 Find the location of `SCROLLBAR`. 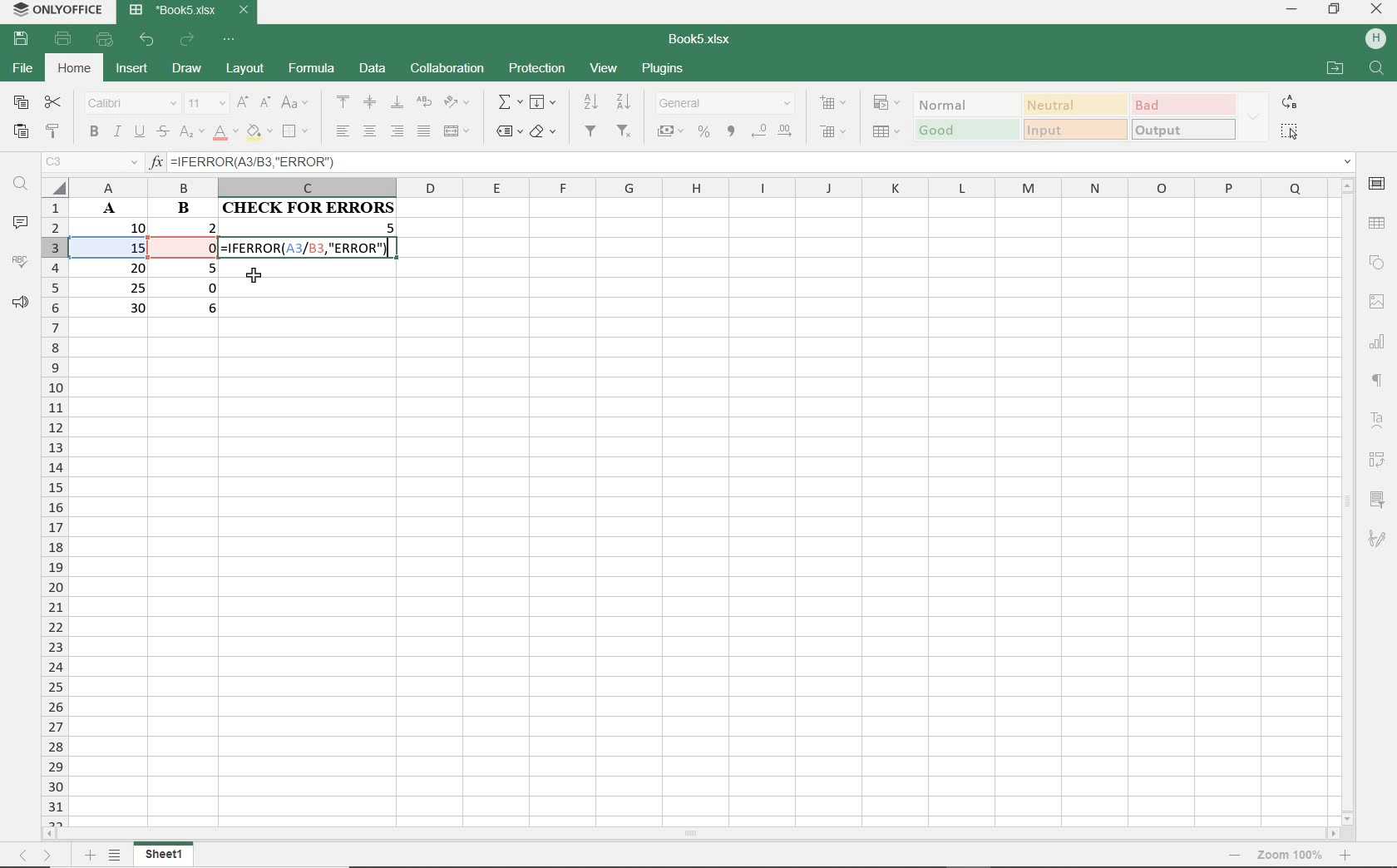

SCROLLBAR is located at coordinates (689, 836).